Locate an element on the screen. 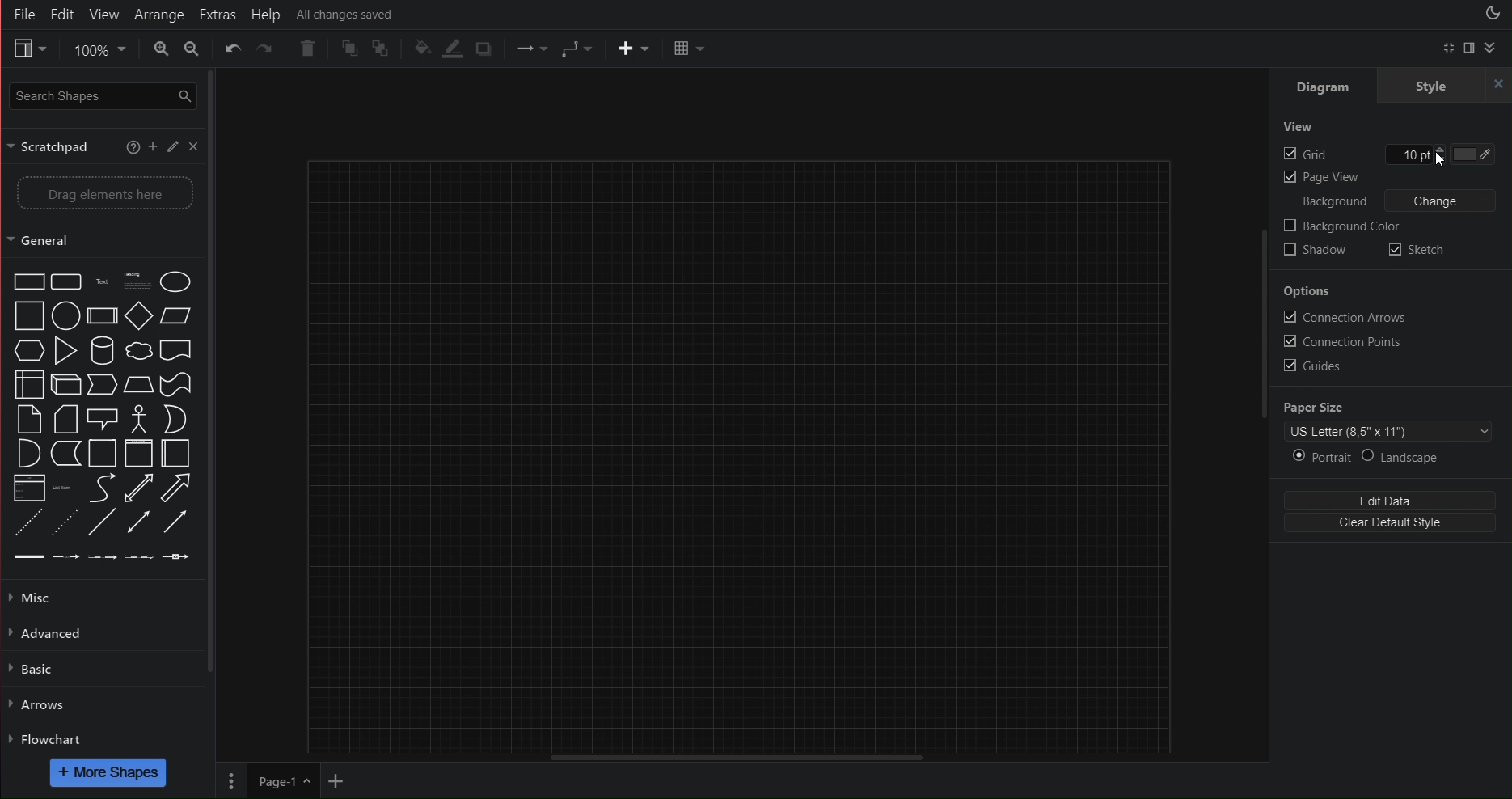  Format is located at coordinates (1470, 48).